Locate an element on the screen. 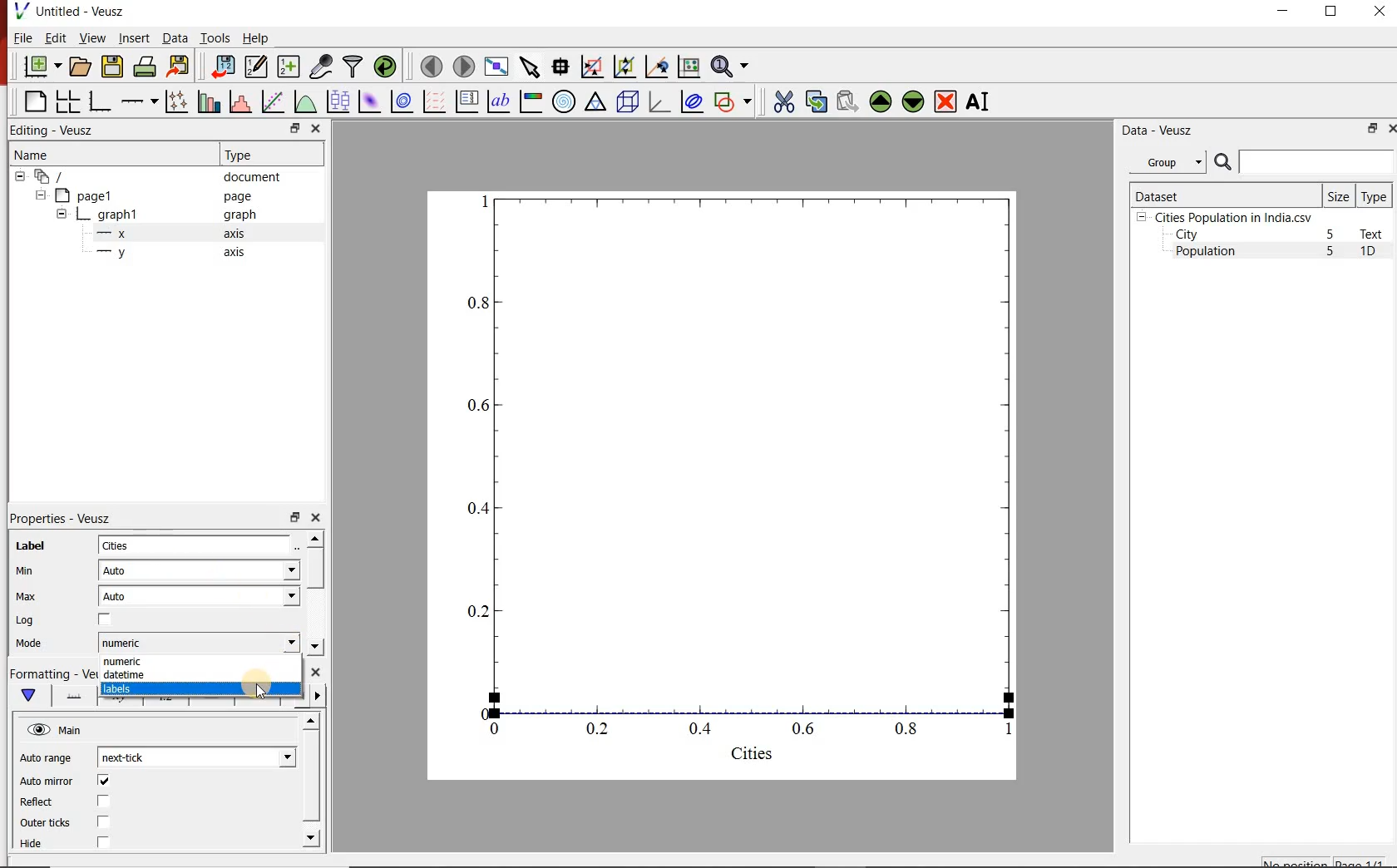 The height and width of the screenshot is (868, 1397). plot a 2d dataset as contours is located at coordinates (400, 101).